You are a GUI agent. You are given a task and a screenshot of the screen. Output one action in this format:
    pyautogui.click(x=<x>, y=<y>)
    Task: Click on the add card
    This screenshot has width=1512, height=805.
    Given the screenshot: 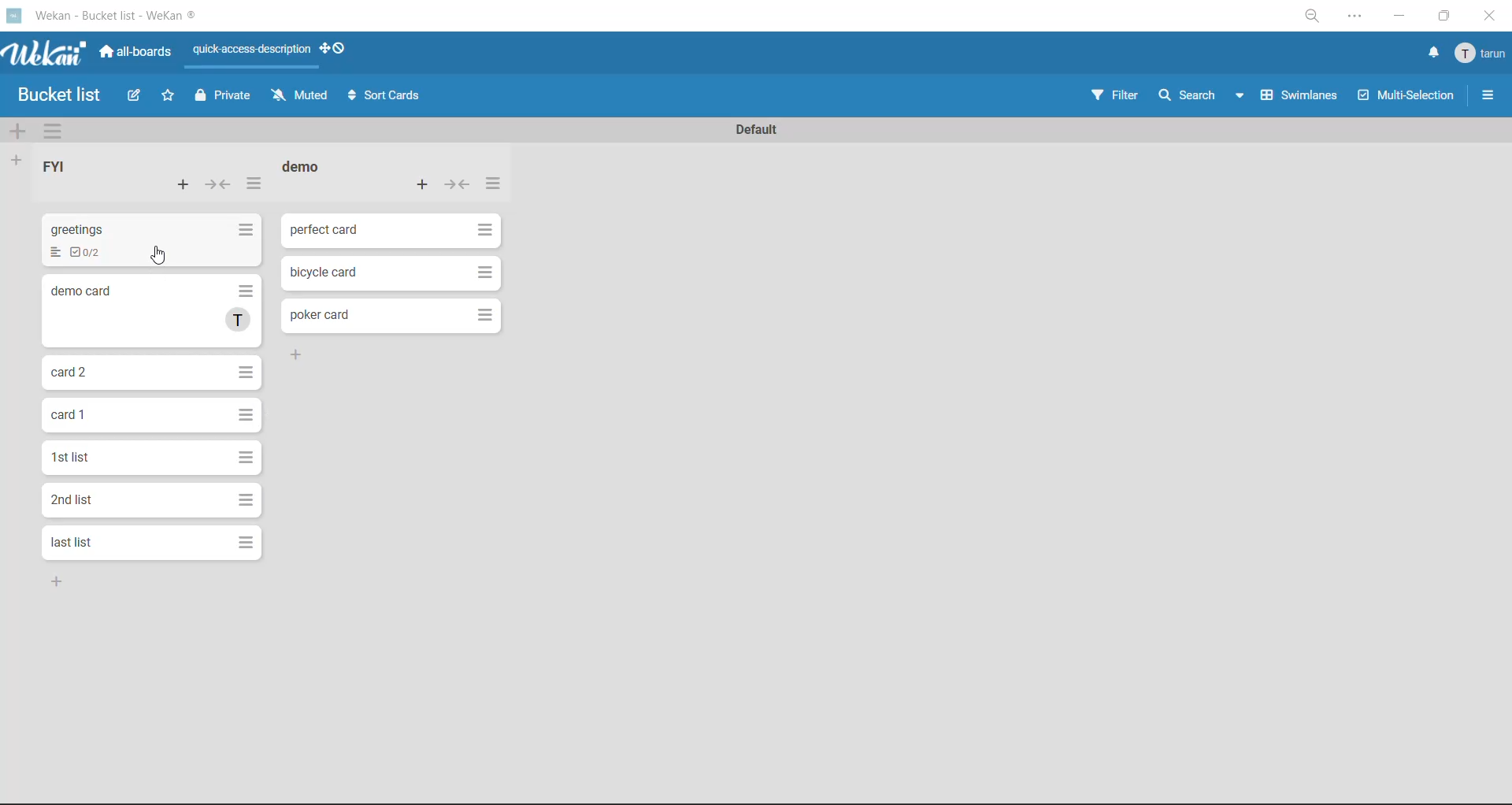 What is the action you would take?
    pyautogui.click(x=424, y=187)
    